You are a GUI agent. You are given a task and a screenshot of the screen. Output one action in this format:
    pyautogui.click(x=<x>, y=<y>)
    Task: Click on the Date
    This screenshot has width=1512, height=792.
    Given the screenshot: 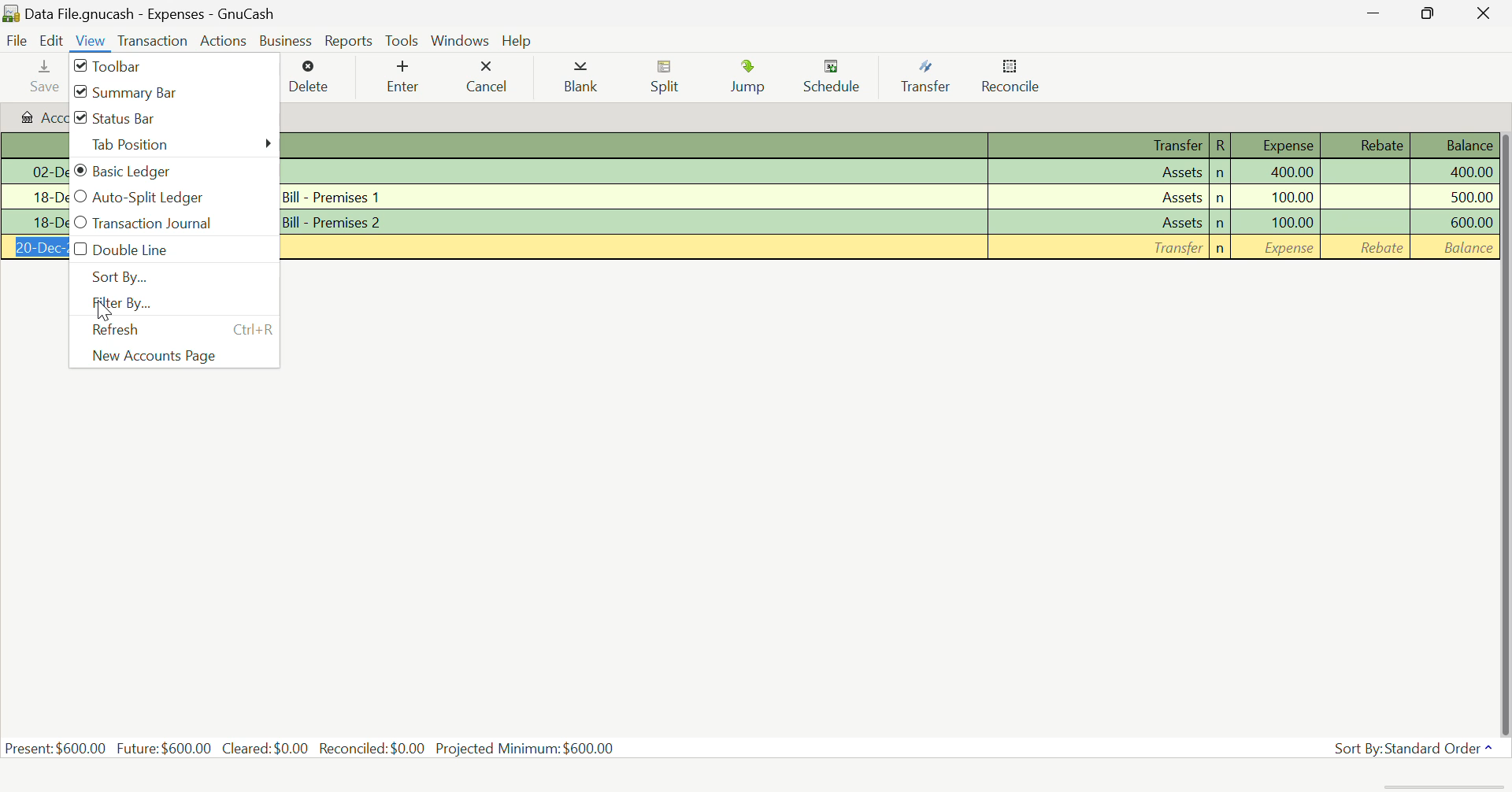 What is the action you would take?
    pyautogui.click(x=34, y=198)
    